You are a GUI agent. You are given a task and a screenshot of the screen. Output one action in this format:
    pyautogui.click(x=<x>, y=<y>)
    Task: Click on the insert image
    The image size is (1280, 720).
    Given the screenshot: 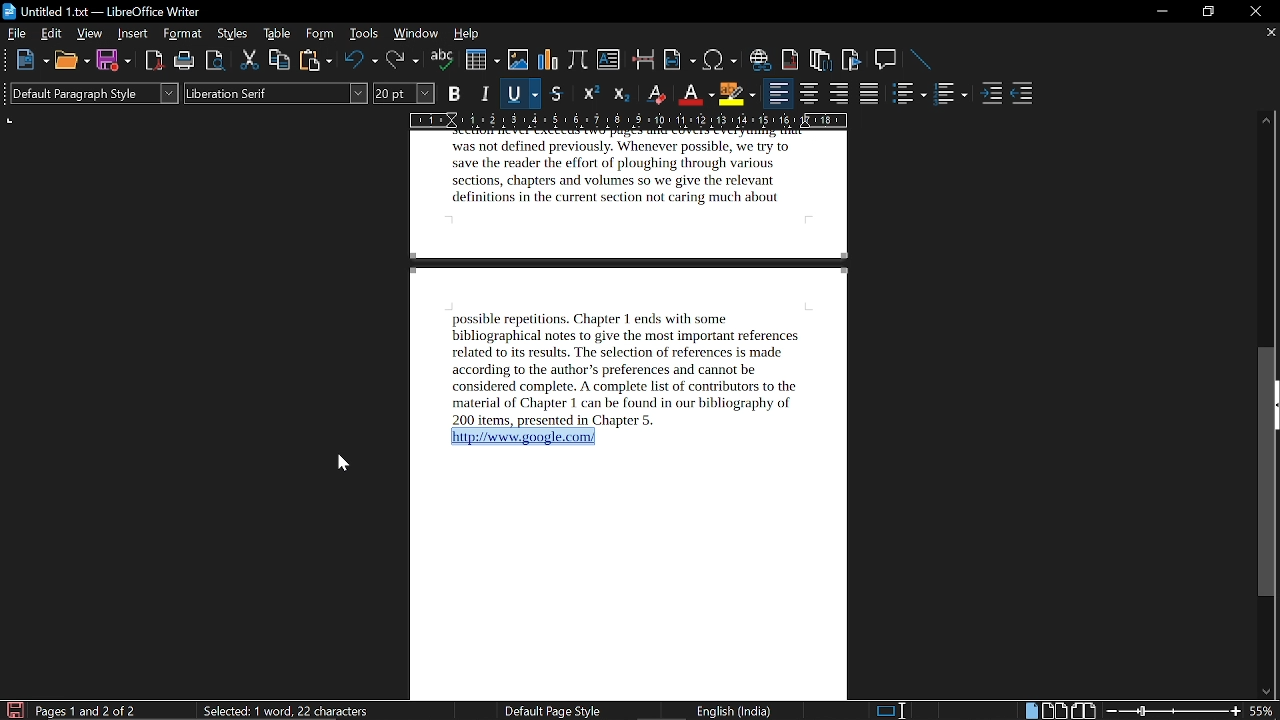 What is the action you would take?
    pyautogui.click(x=518, y=62)
    